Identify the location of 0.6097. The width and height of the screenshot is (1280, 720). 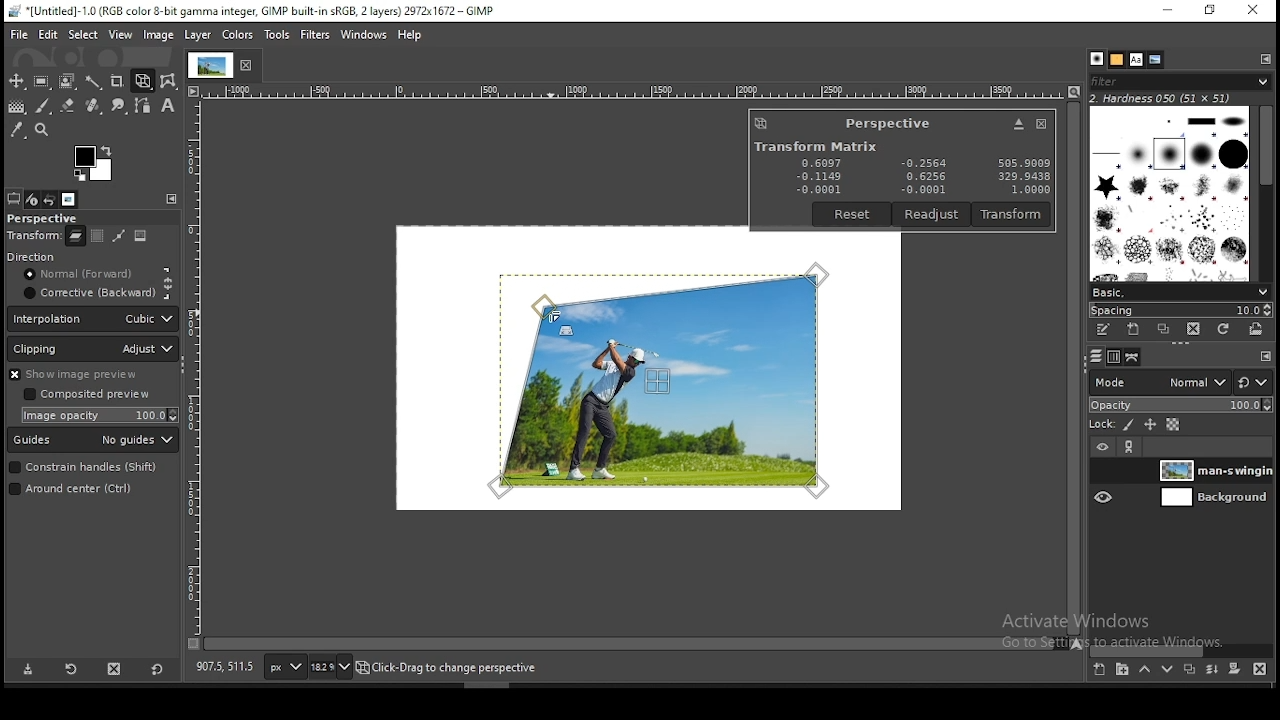
(823, 161).